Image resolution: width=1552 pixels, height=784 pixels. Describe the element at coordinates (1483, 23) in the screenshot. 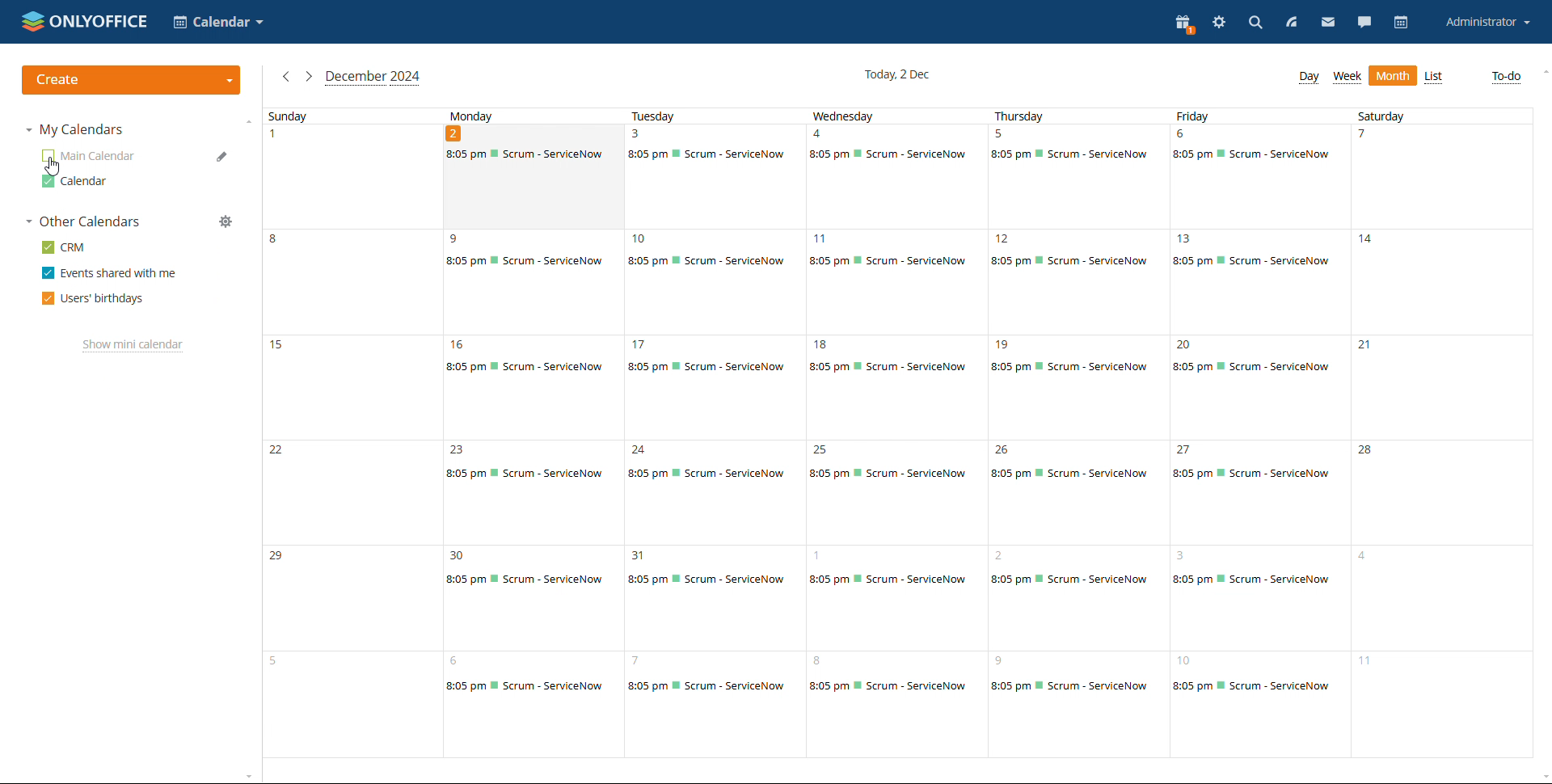

I see `account` at that location.